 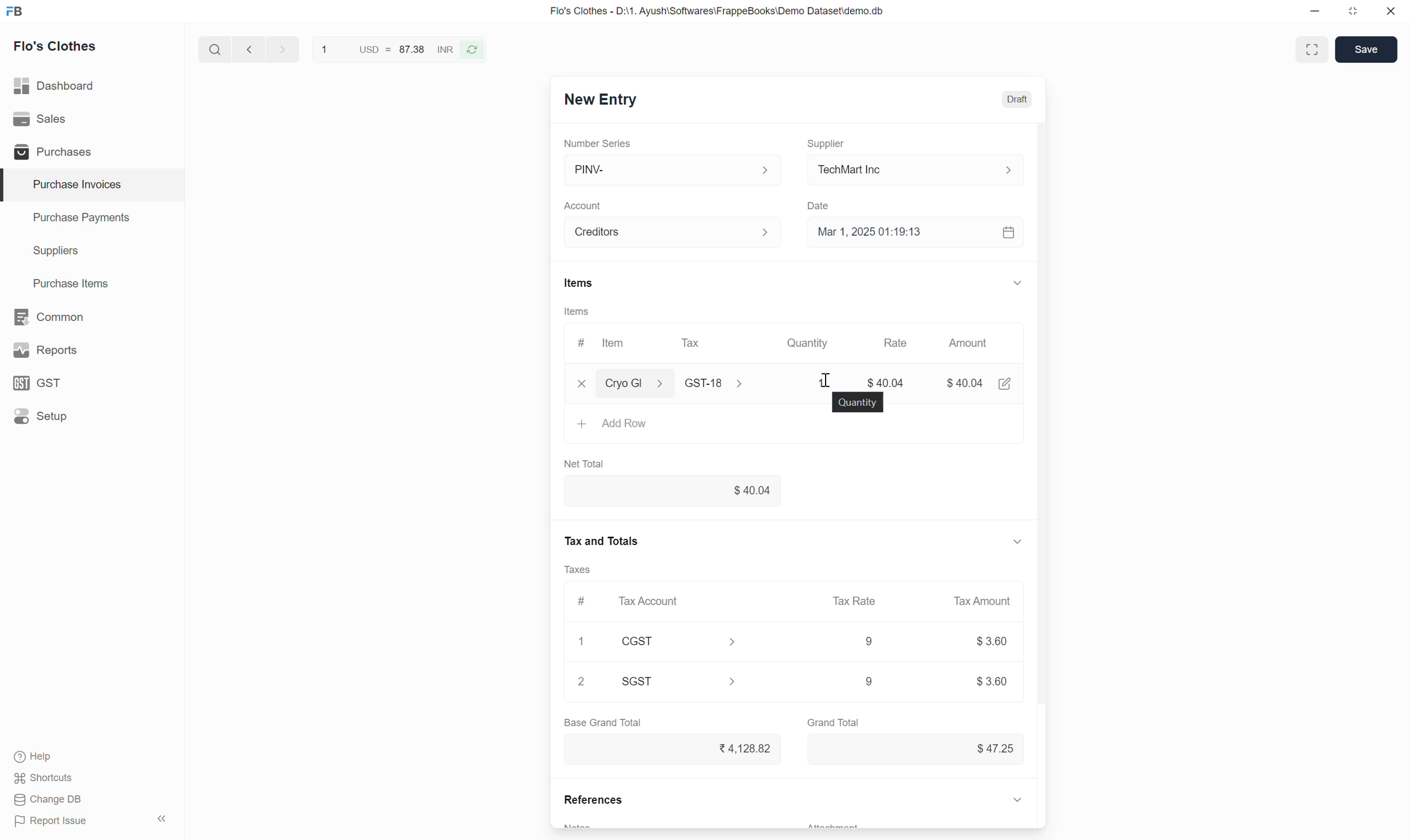 What do you see at coordinates (57, 48) in the screenshot?
I see `Flo's Clothes` at bounding box center [57, 48].